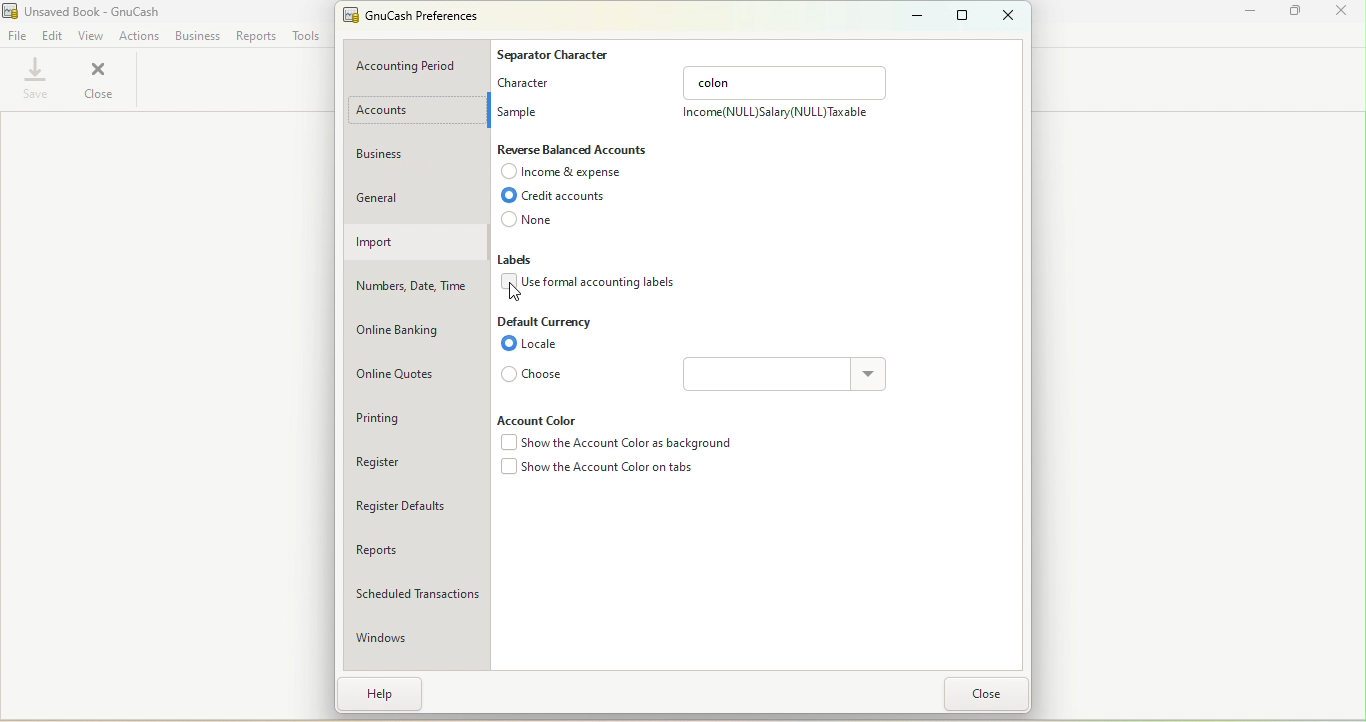 The image size is (1366, 722). I want to click on Online quotes, so click(412, 374).